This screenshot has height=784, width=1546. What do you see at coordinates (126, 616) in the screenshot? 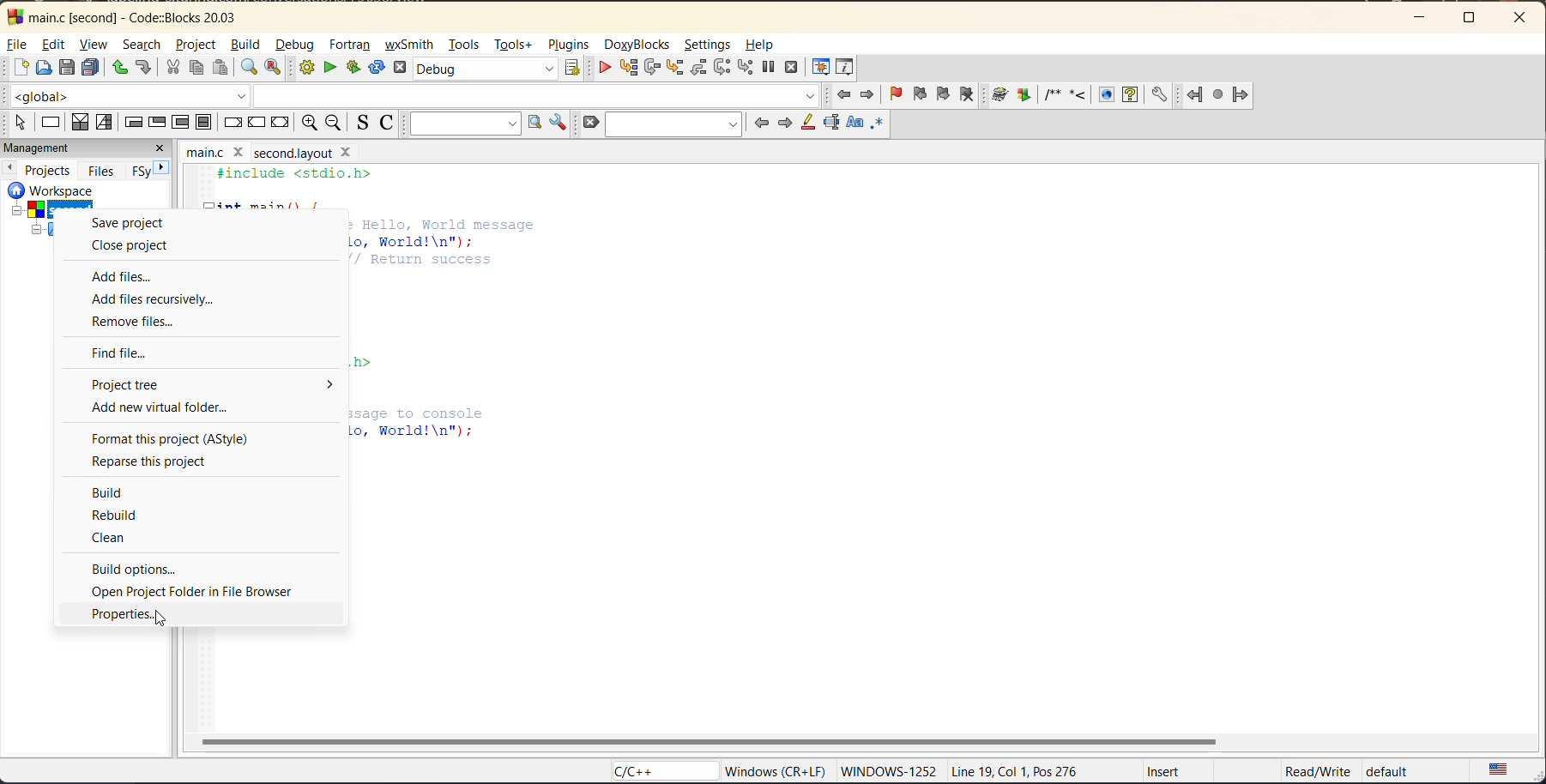
I see `properties` at bounding box center [126, 616].